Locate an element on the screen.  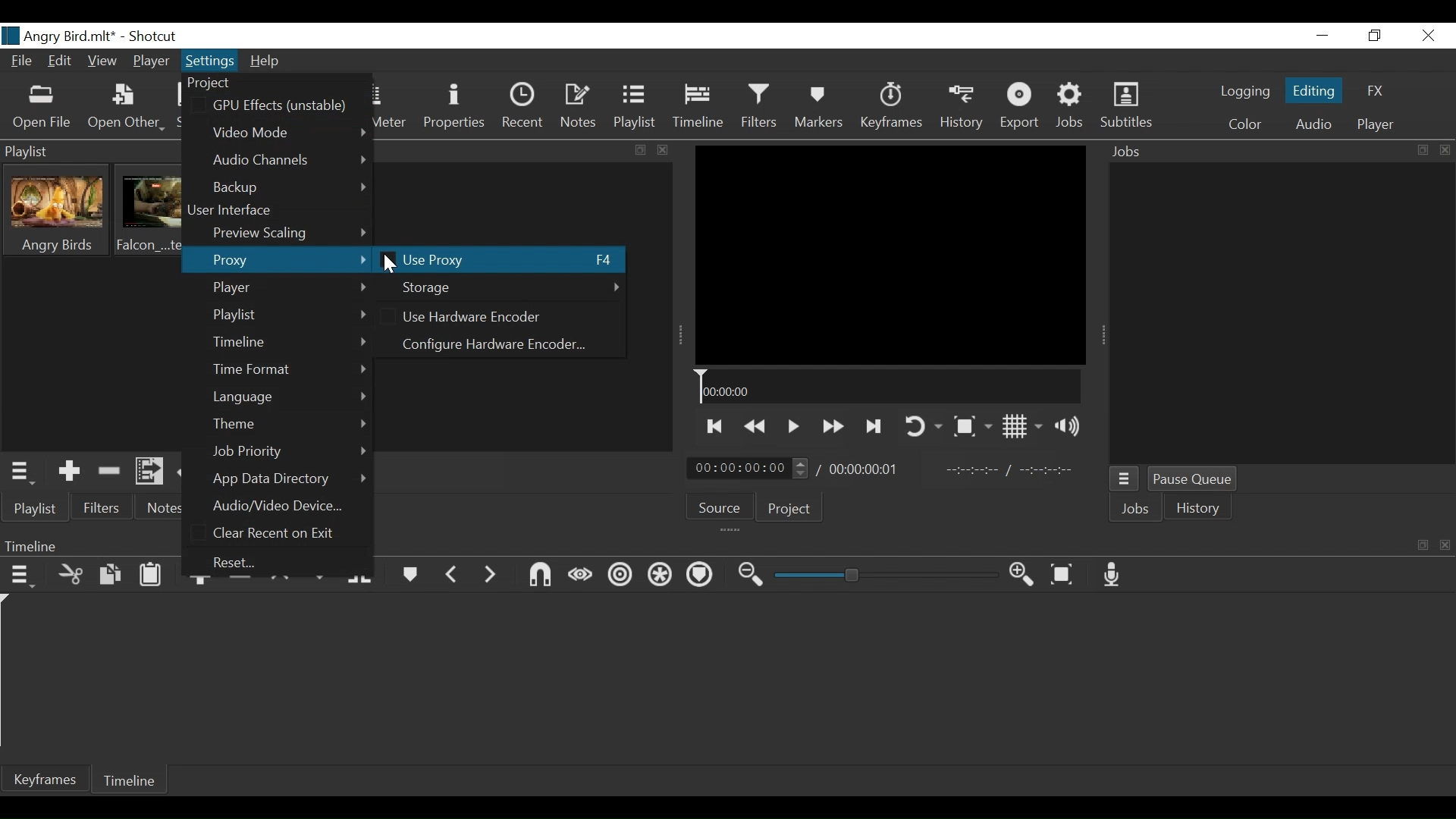
Playlist is located at coordinates (635, 106).